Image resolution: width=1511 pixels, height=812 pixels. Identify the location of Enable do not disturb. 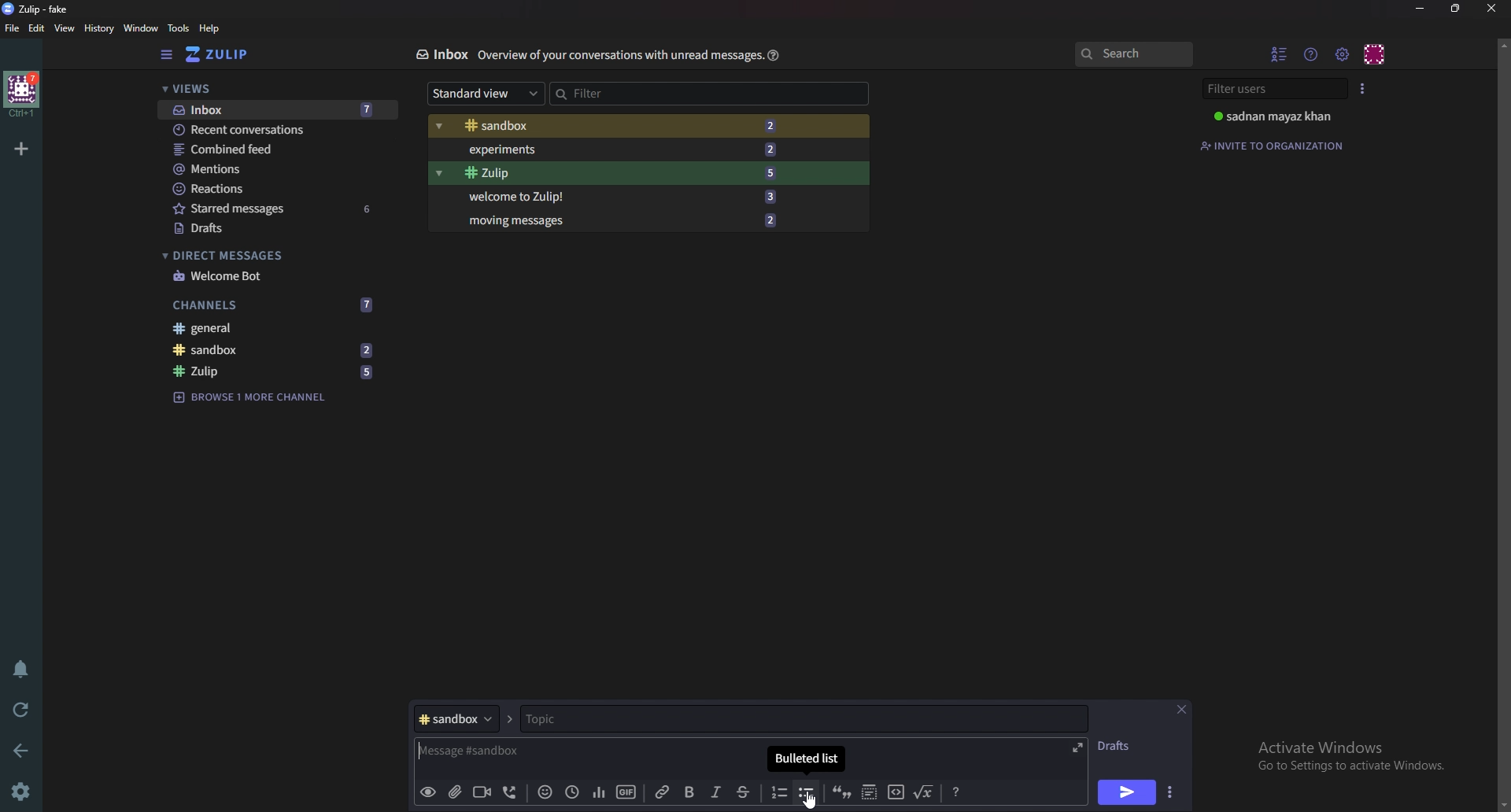
(24, 666).